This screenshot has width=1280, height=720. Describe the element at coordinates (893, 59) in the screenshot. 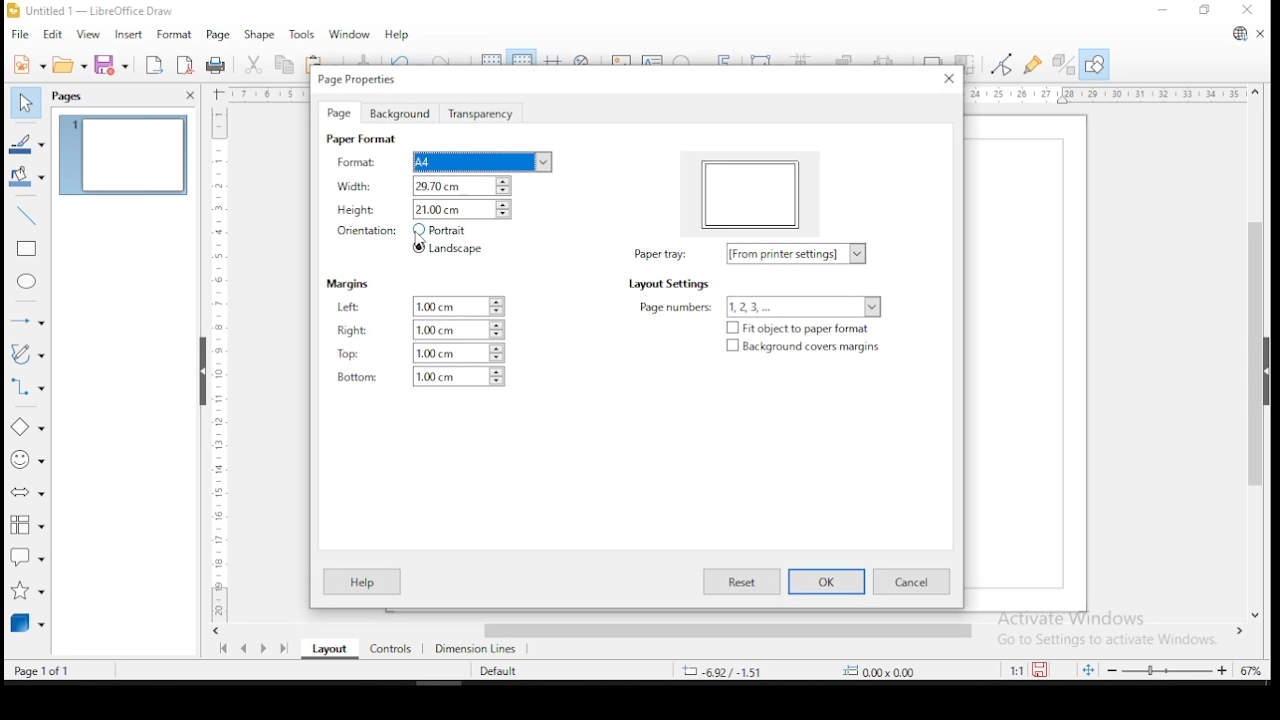

I see `select at least three objects to distribute` at that location.